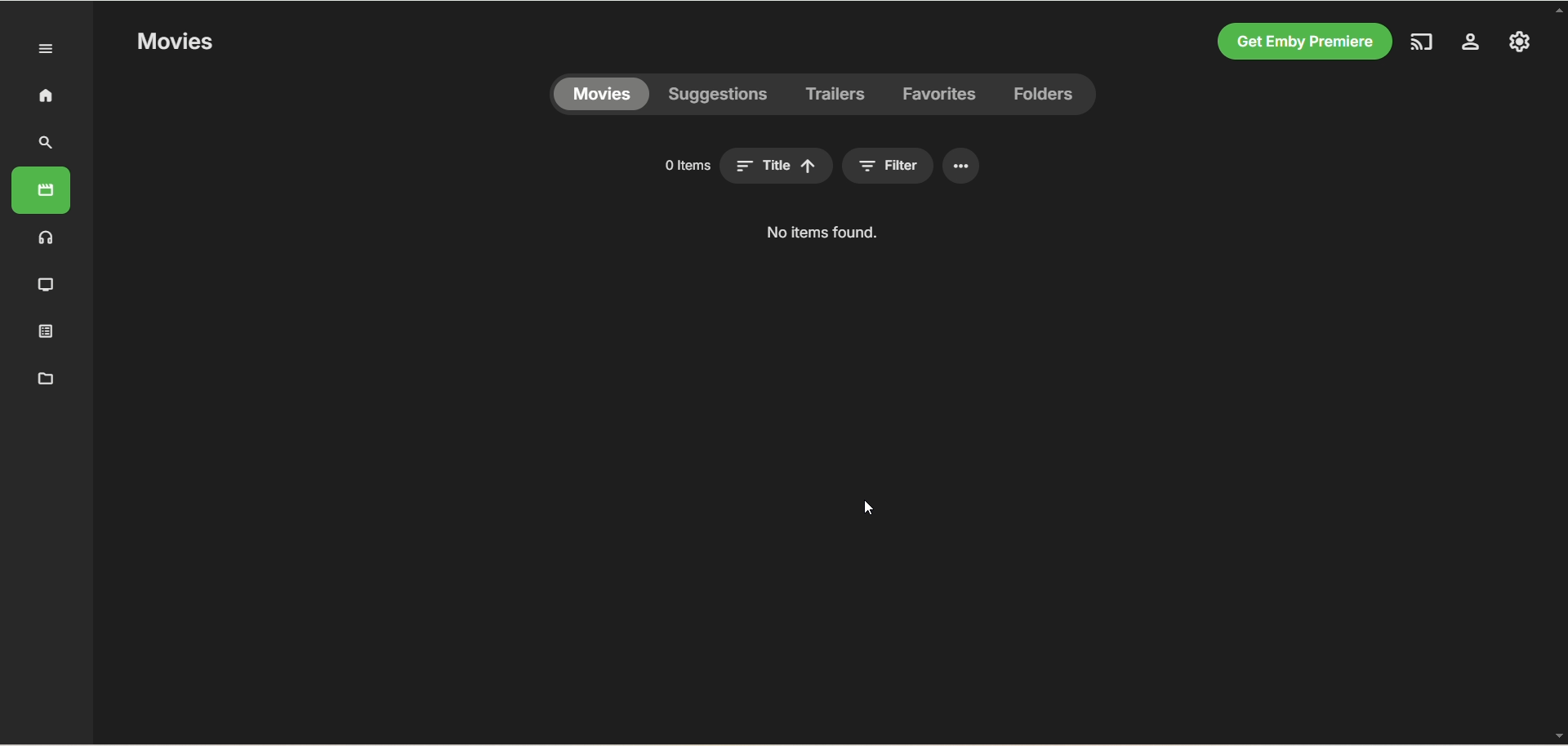  I want to click on server, so click(1471, 44).